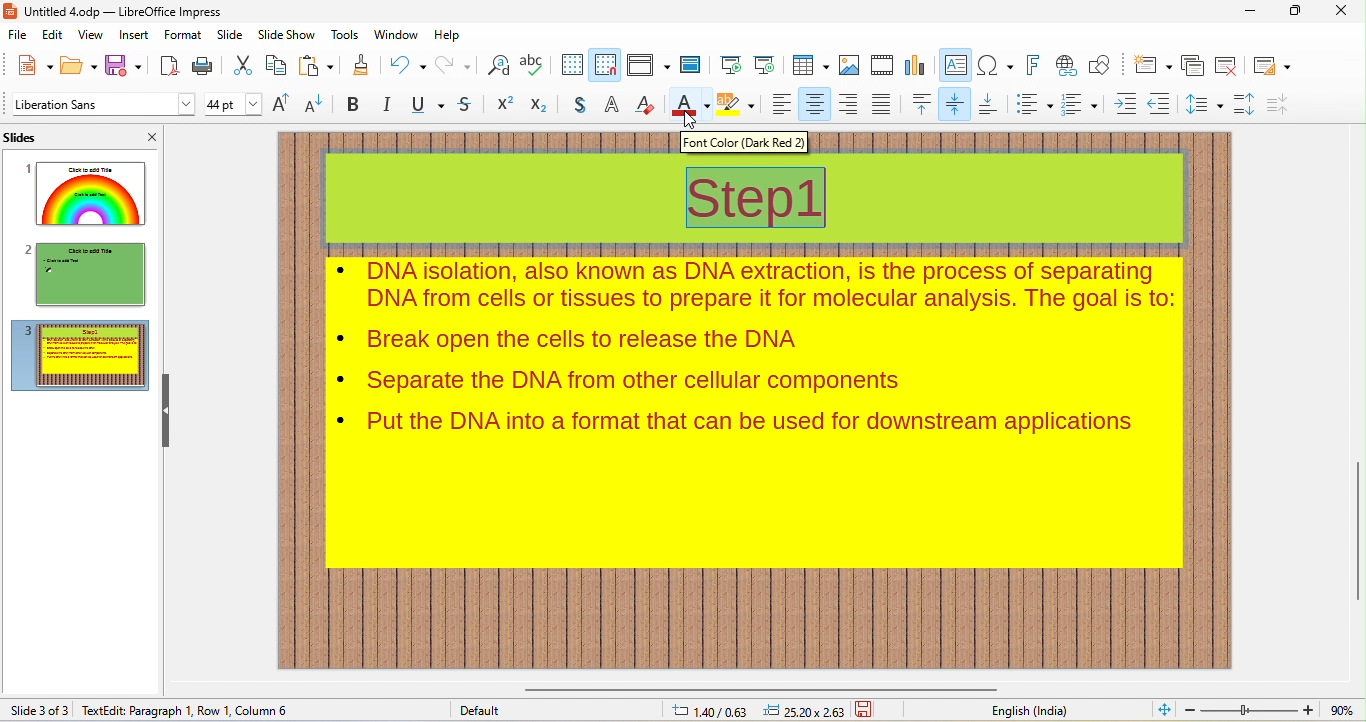 This screenshot has height=722, width=1366. Describe the element at coordinates (282, 103) in the screenshot. I see `increment text size` at that location.